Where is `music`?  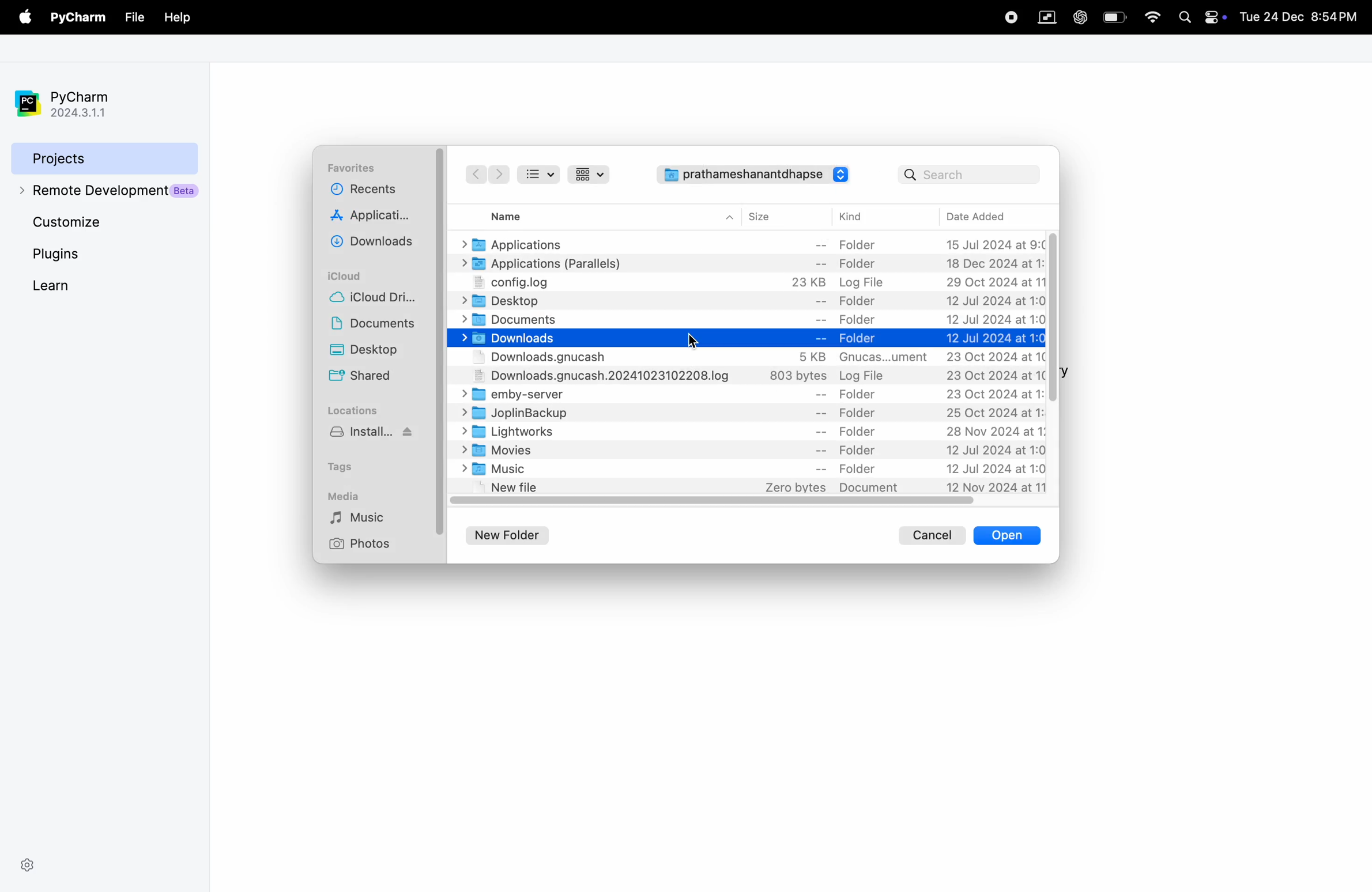
music is located at coordinates (367, 518).